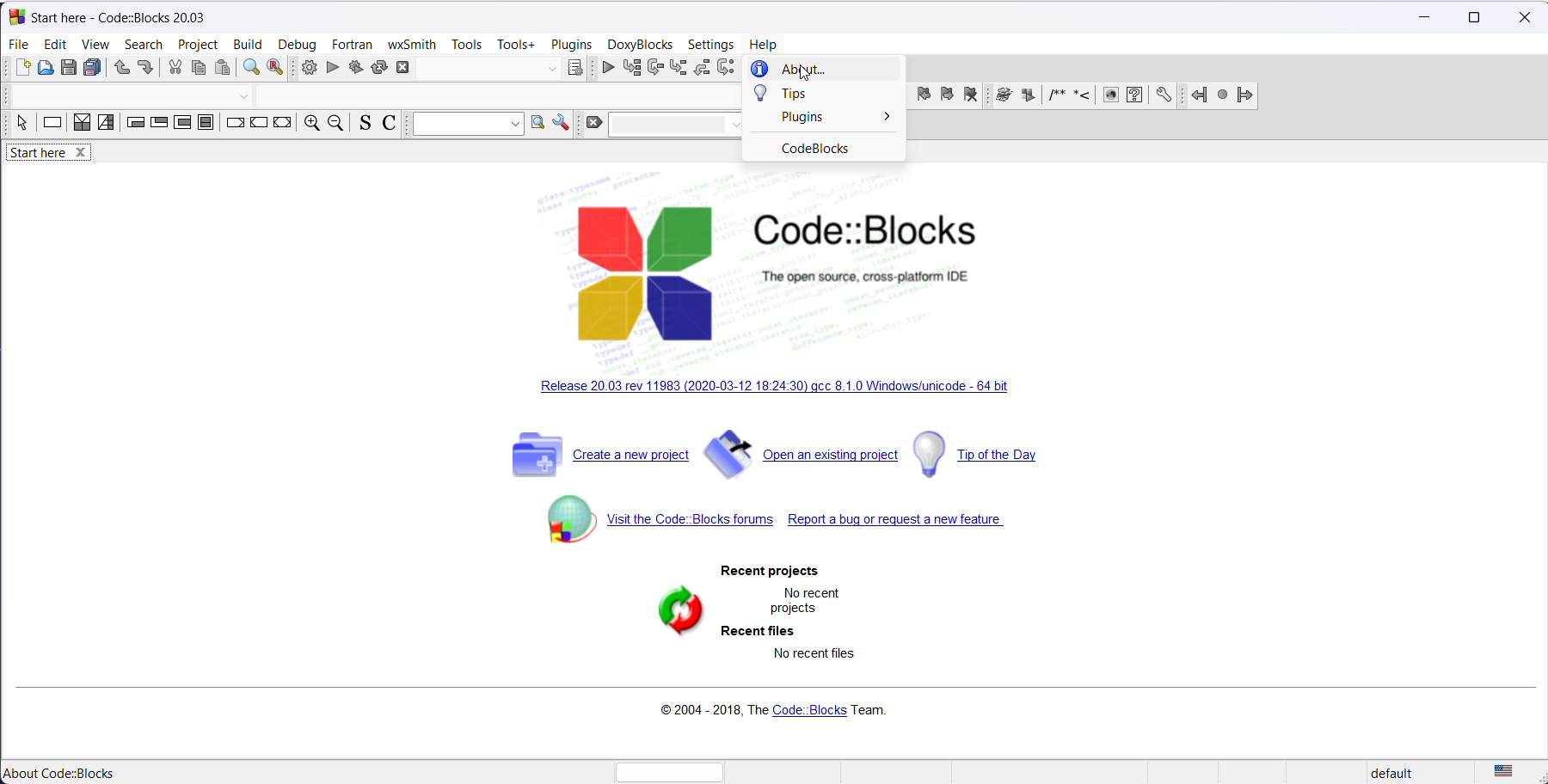  I want to click on report a bug, so click(904, 525).